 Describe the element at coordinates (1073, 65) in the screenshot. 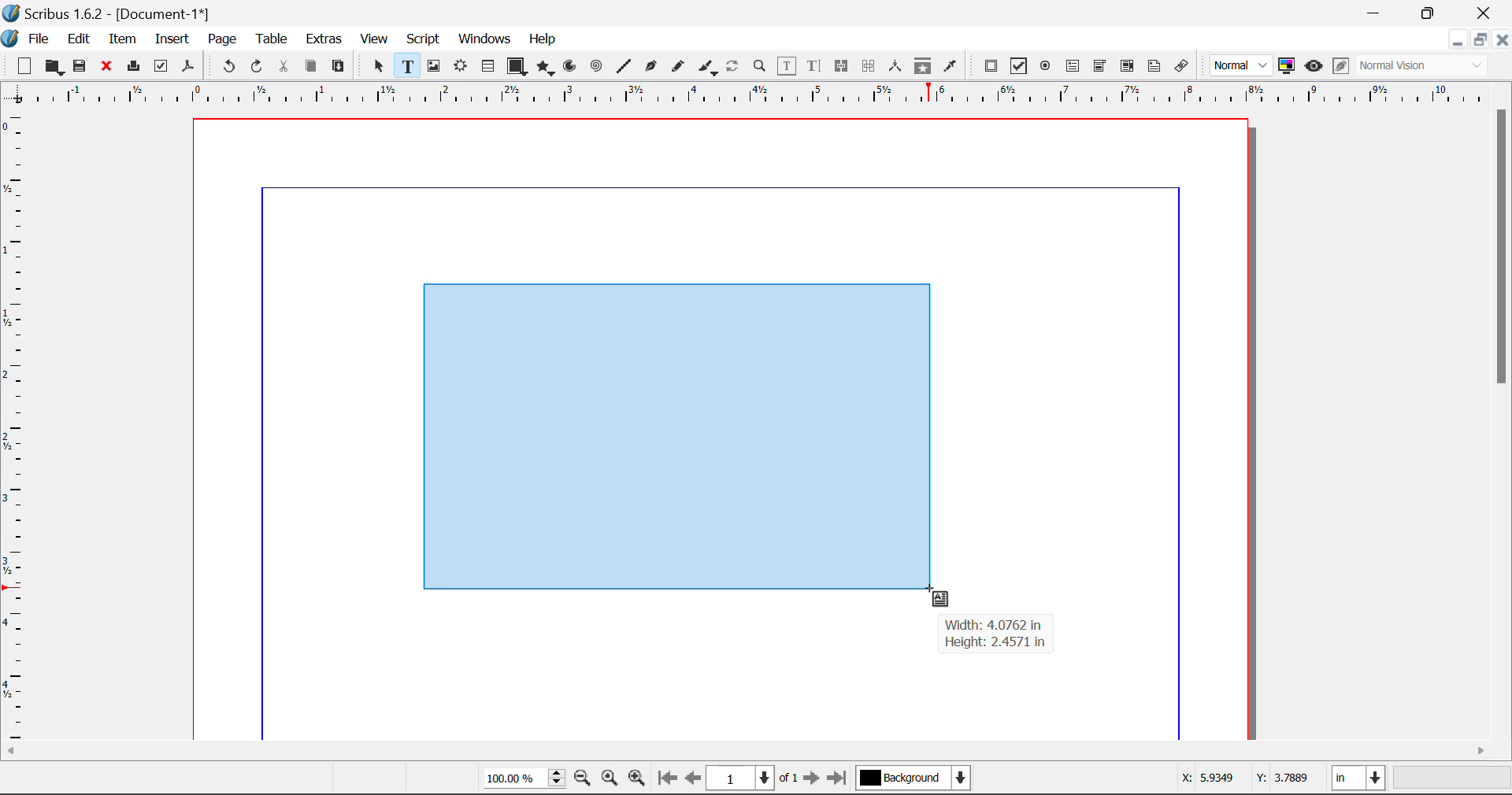

I see `Pdf Text Field` at that location.